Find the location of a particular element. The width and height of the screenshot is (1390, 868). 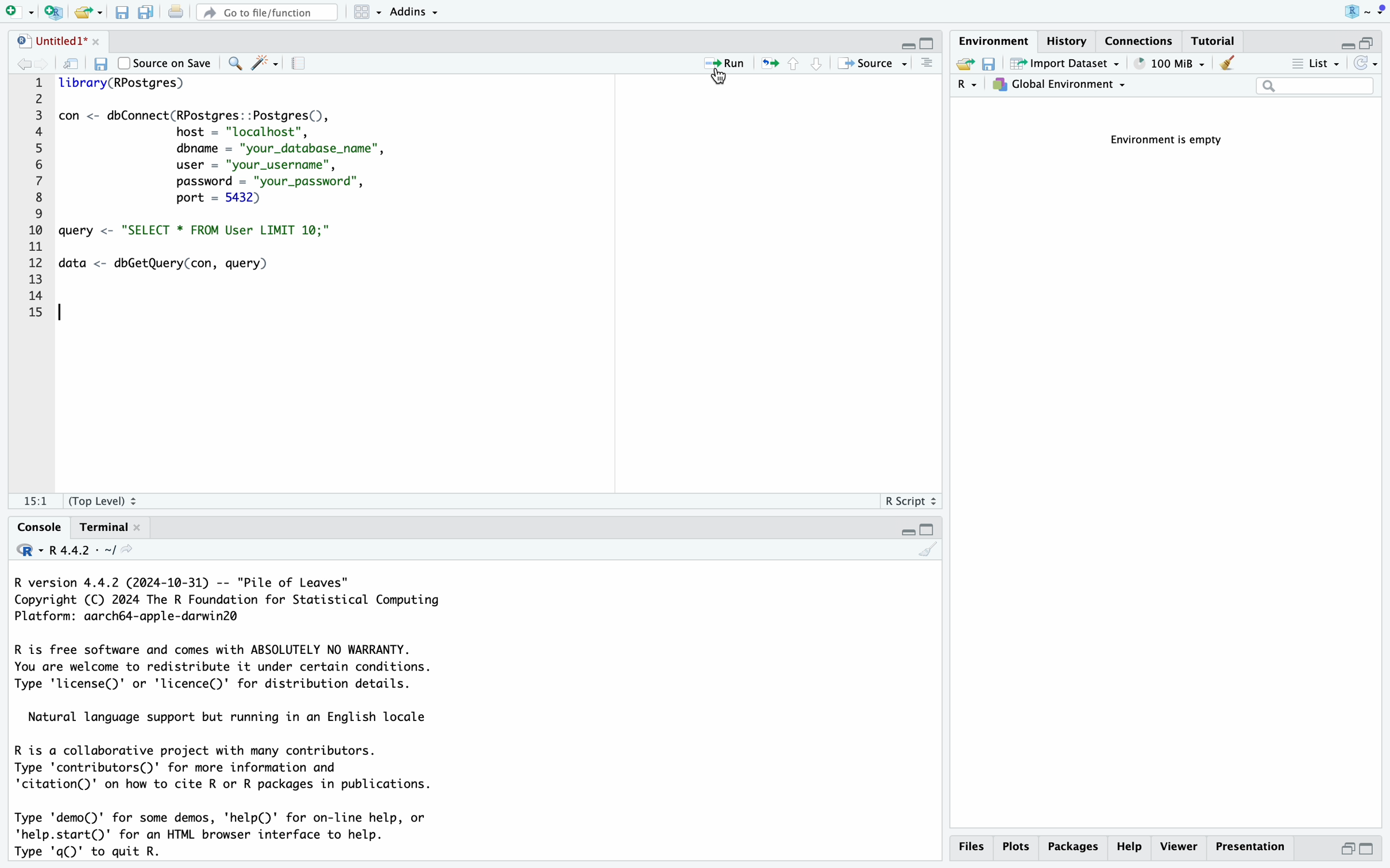

1:1 is located at coordinates (29, 503).